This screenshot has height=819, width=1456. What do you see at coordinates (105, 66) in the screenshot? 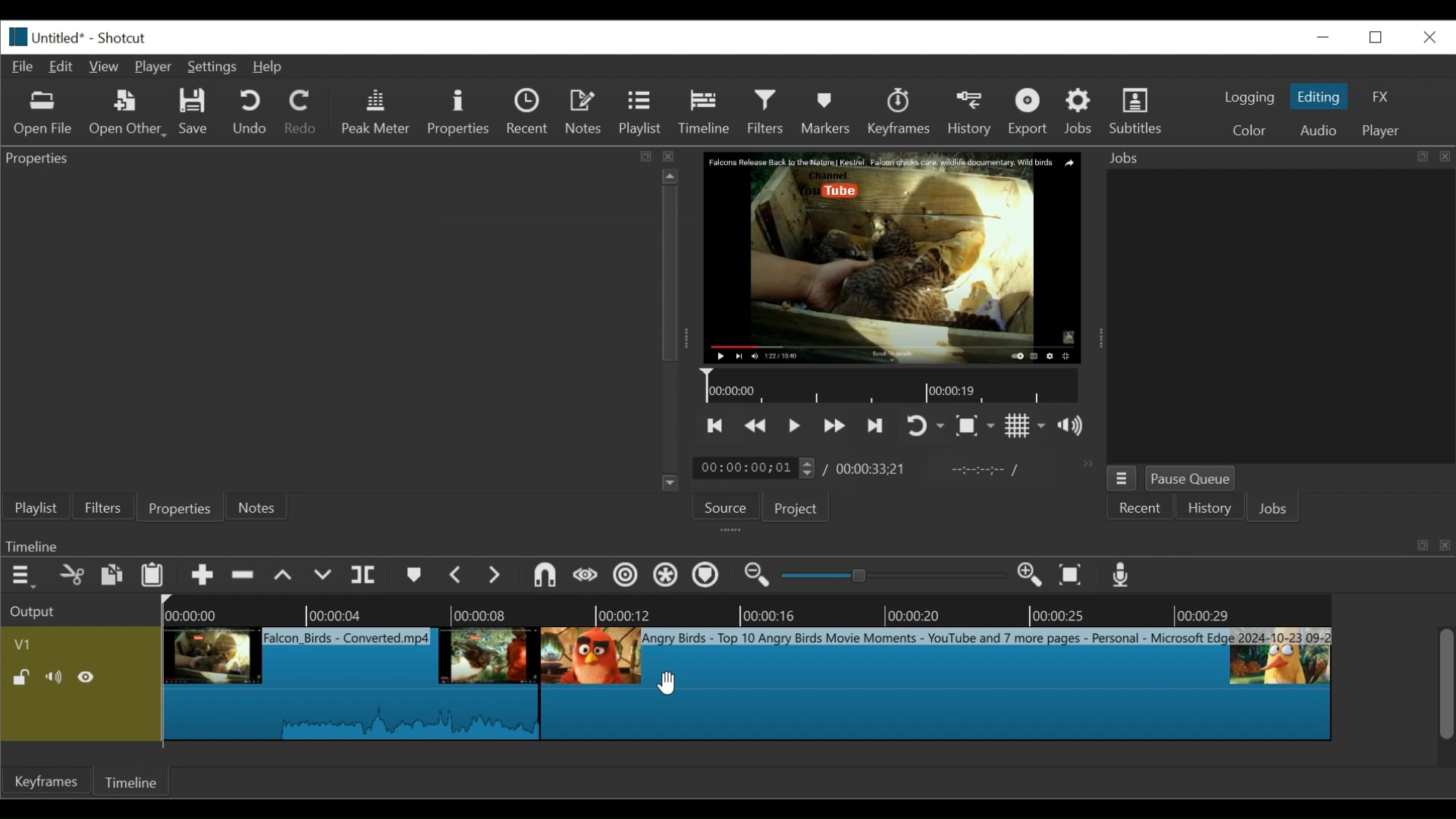
I see `View` at bounding box center [105, 66].